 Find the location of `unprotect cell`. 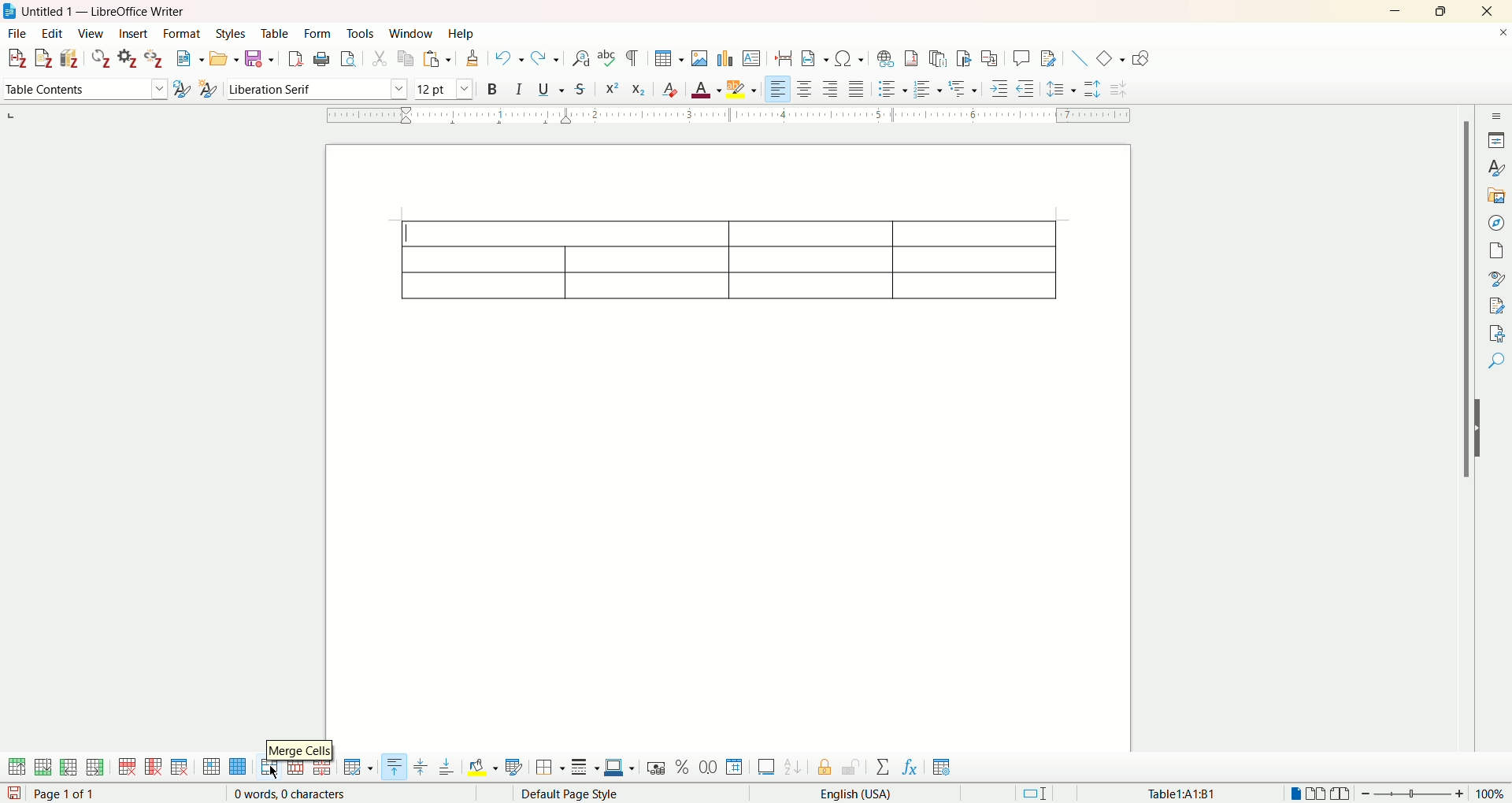

unprotect cell is located at coordinates (850, 765).